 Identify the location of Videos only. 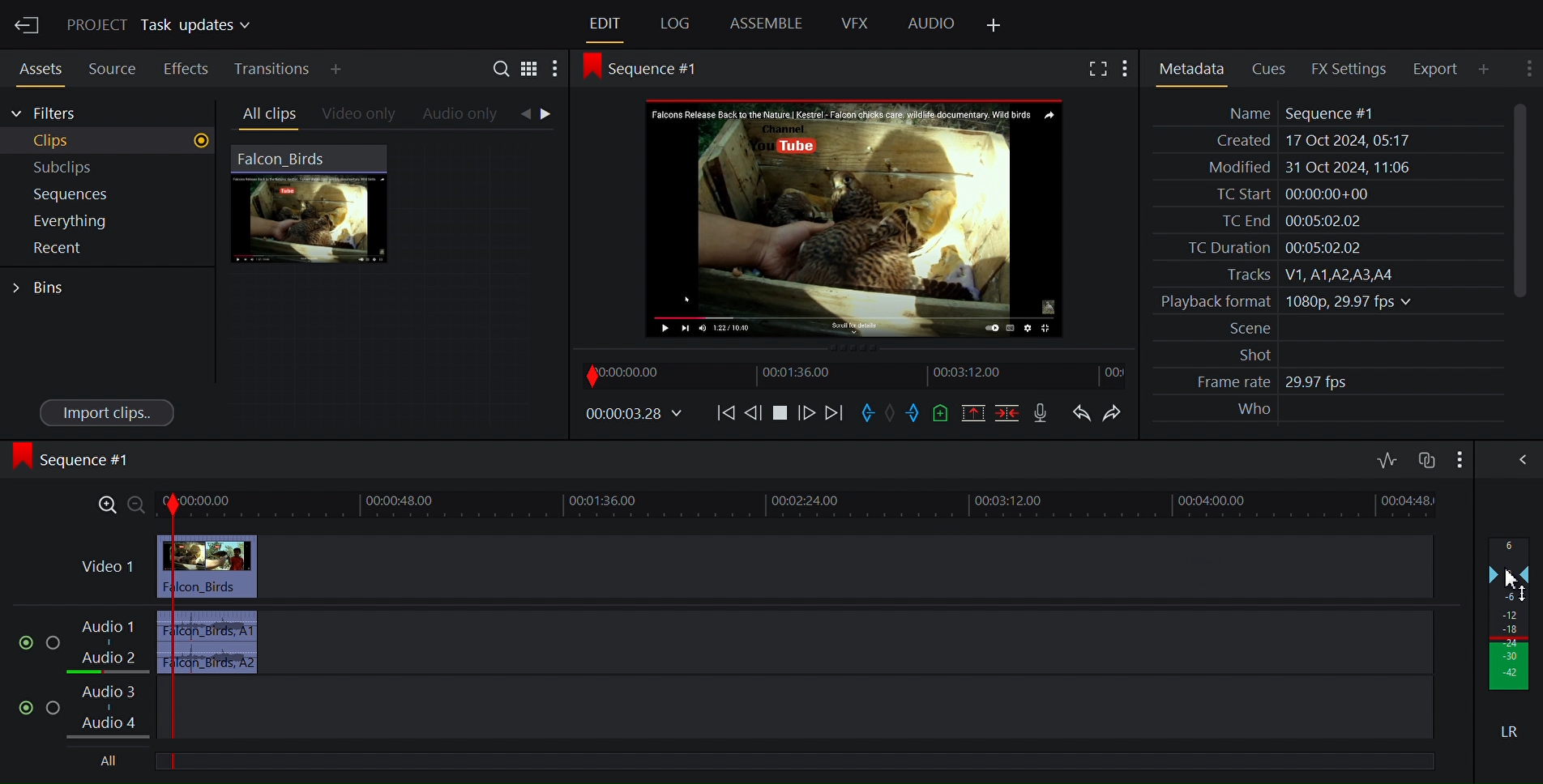
(358, 114).